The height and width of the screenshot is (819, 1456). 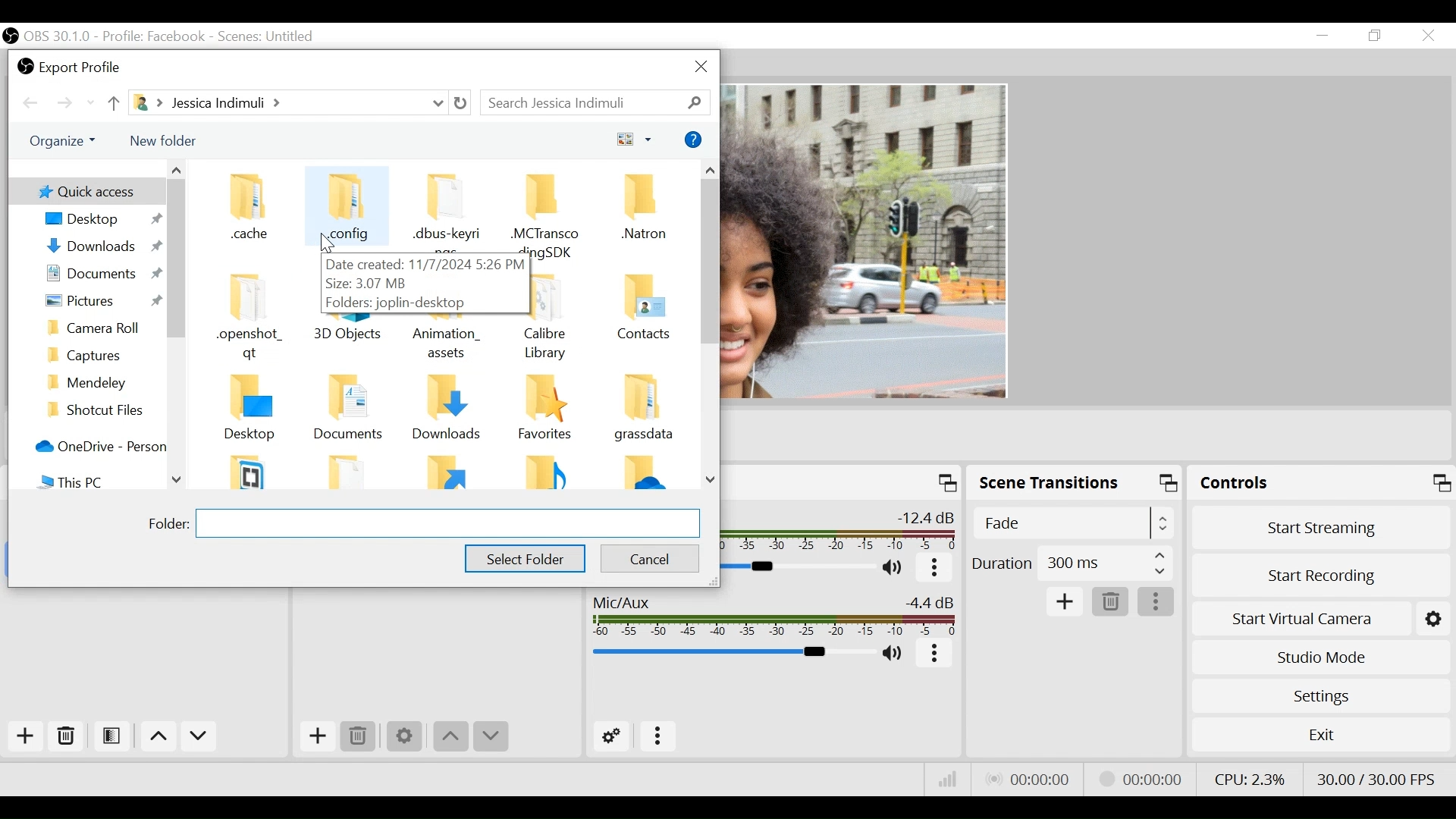 I want to click on Select Folder, so click(x=524, y=559).